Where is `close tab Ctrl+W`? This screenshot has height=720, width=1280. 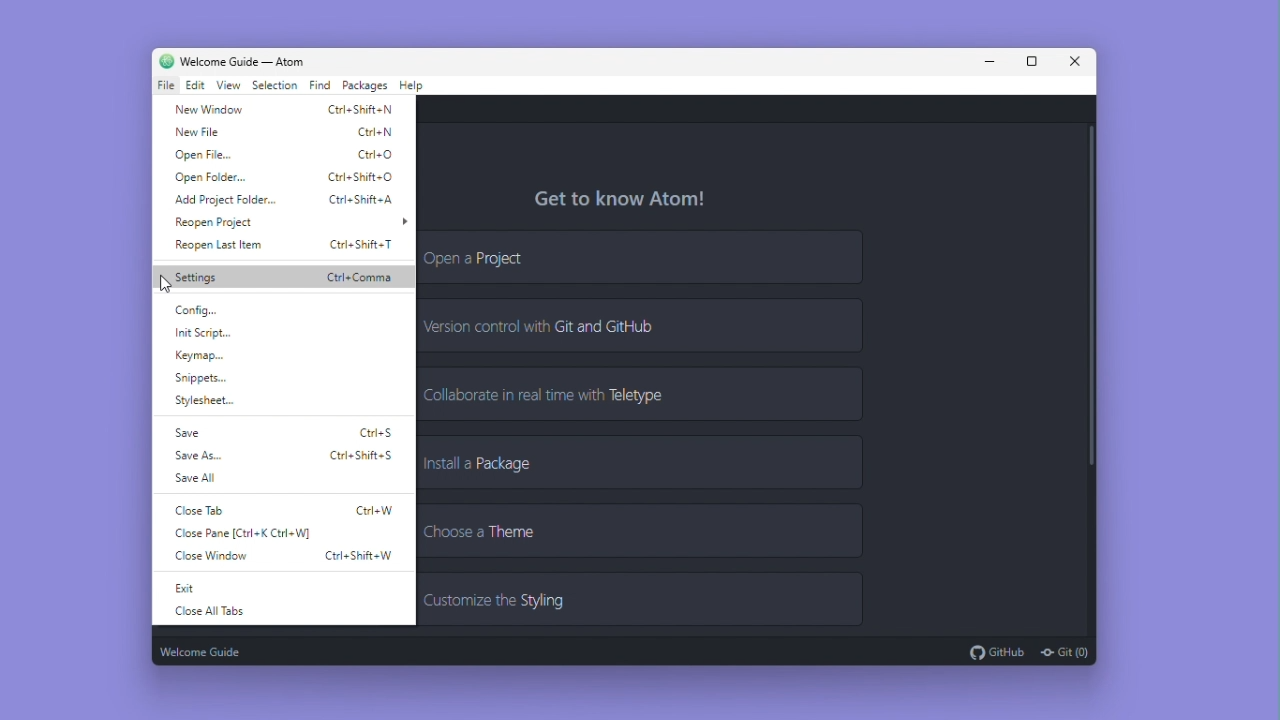 close tab Ctrl+W is located at coordinates (283, 511).